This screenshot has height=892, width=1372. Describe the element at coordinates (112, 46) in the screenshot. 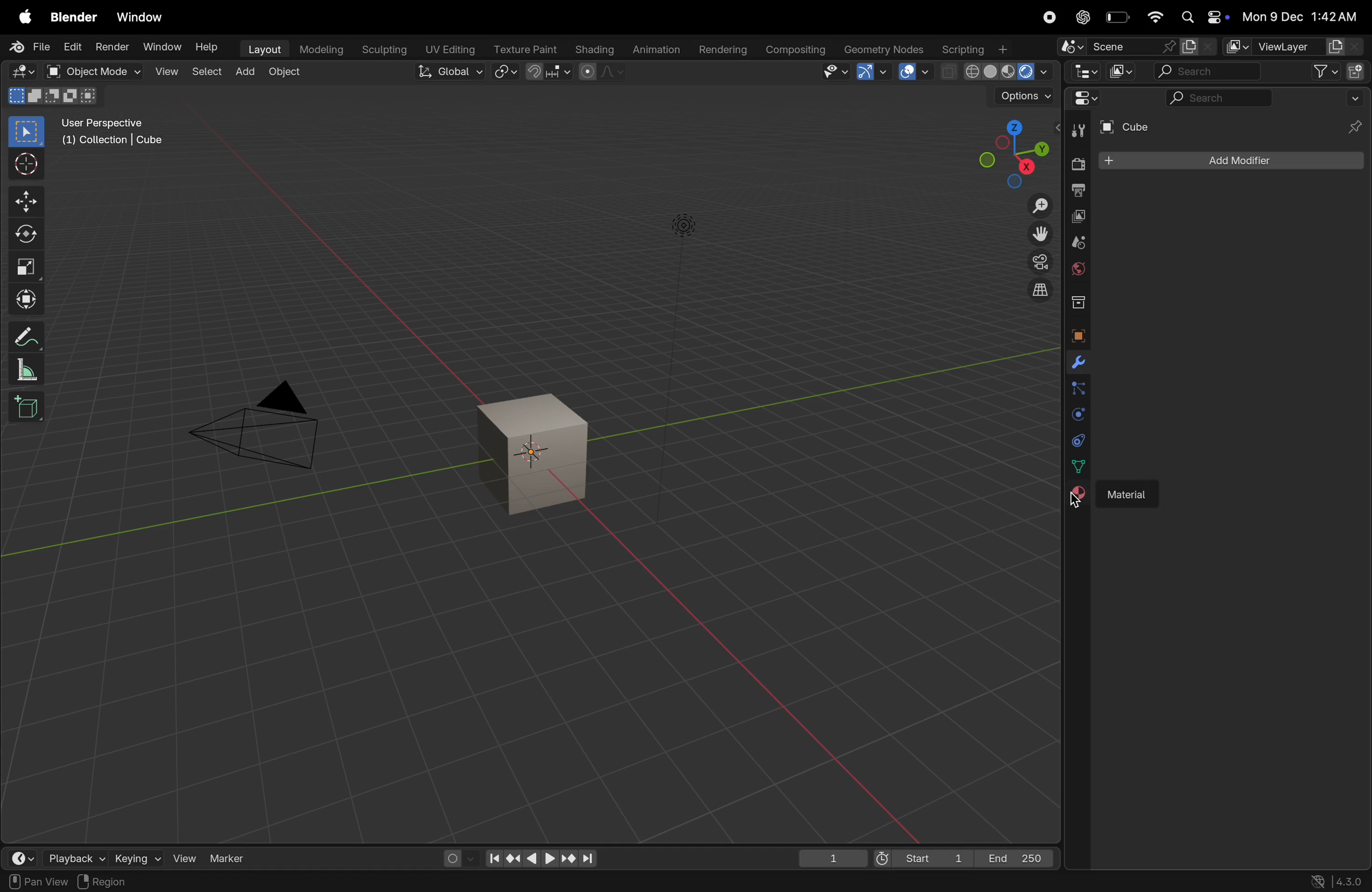

I see `render` at that location.